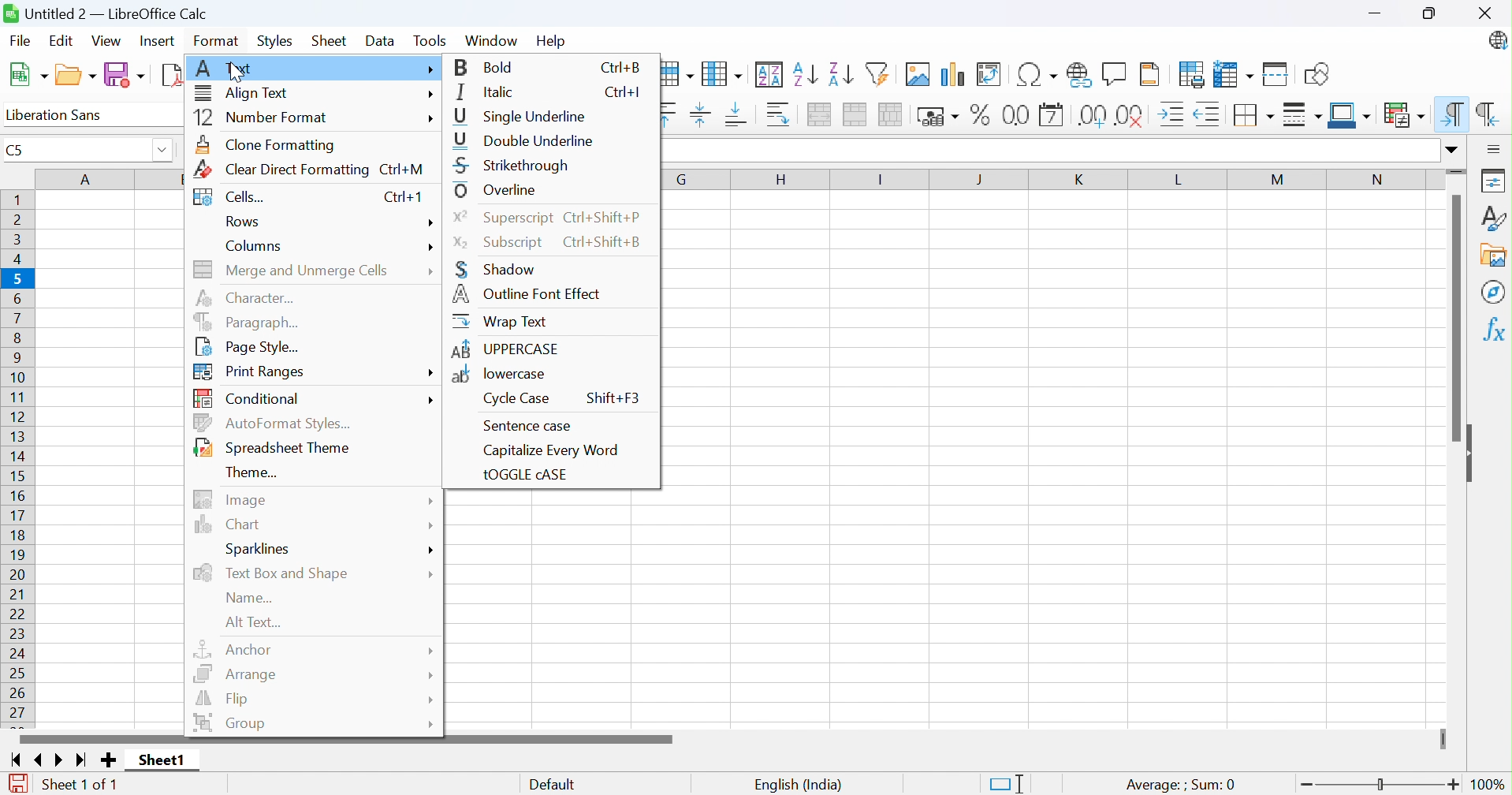 The width and height of the screenshot is (1512, 795). What do you see at coordinates (1487, 13) in the screenshot?
I see `Close` at bounding box center [1487, 13].